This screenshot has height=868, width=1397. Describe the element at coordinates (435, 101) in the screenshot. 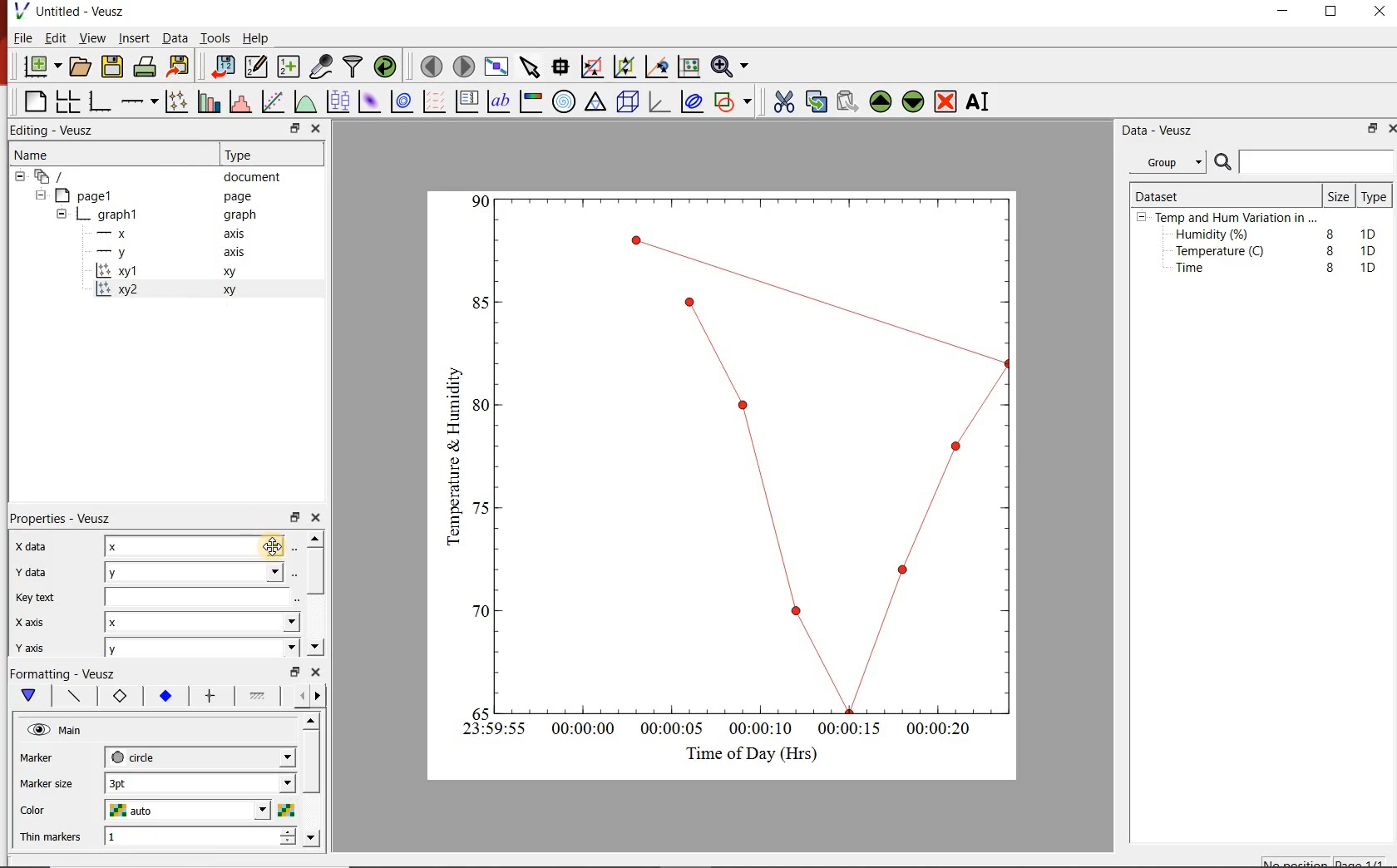

I see `plot a vector field` at that location.